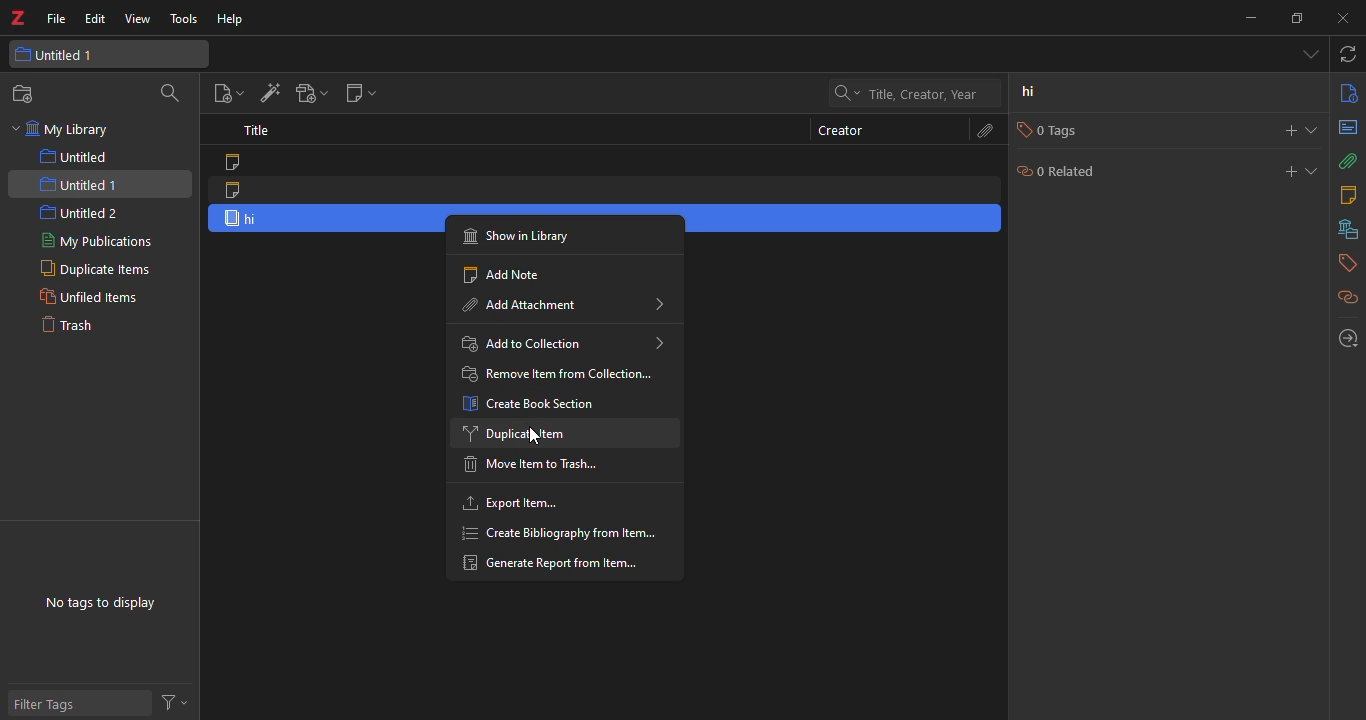 The height and width of the screenshot is (720, 1366). Describe the element at coordinates (74, 155) in the screenshot. I see `untitled` at that location.